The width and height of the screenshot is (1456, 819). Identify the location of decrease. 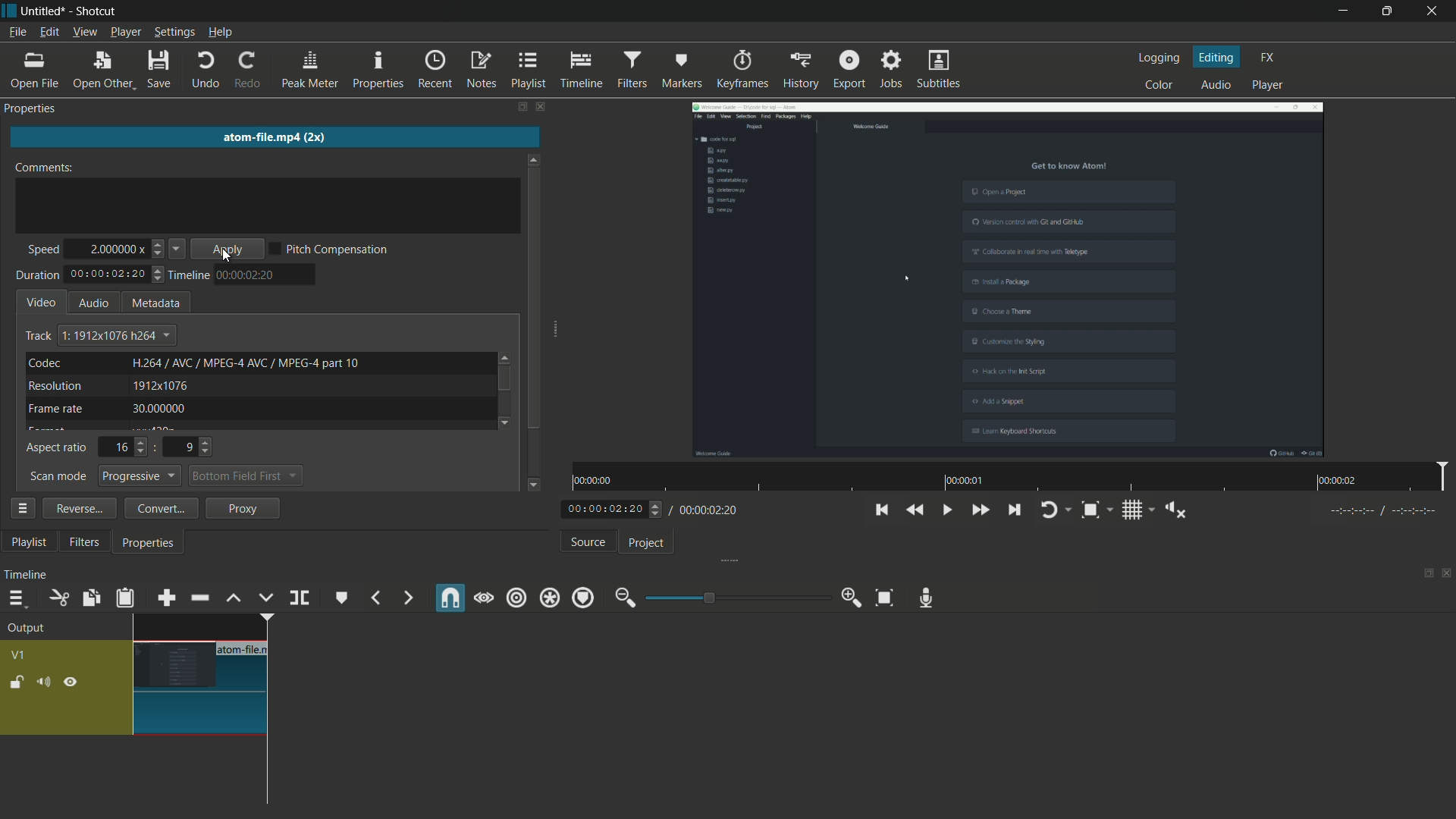
(158, 253).